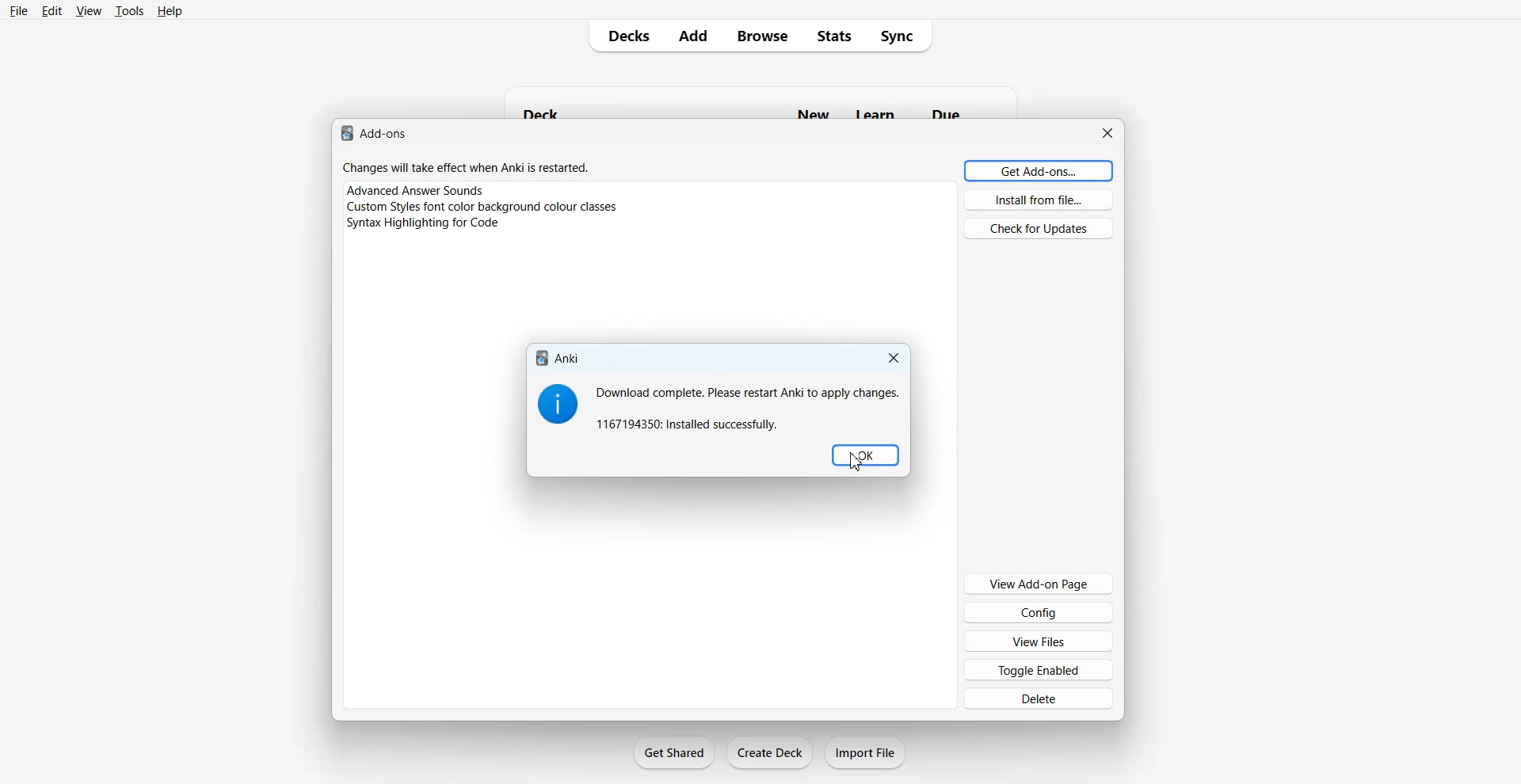  Describe the element at coordinates (471, 169) in the screenshot. I see `Changes will take effect when Anki is restarted.` at that location.